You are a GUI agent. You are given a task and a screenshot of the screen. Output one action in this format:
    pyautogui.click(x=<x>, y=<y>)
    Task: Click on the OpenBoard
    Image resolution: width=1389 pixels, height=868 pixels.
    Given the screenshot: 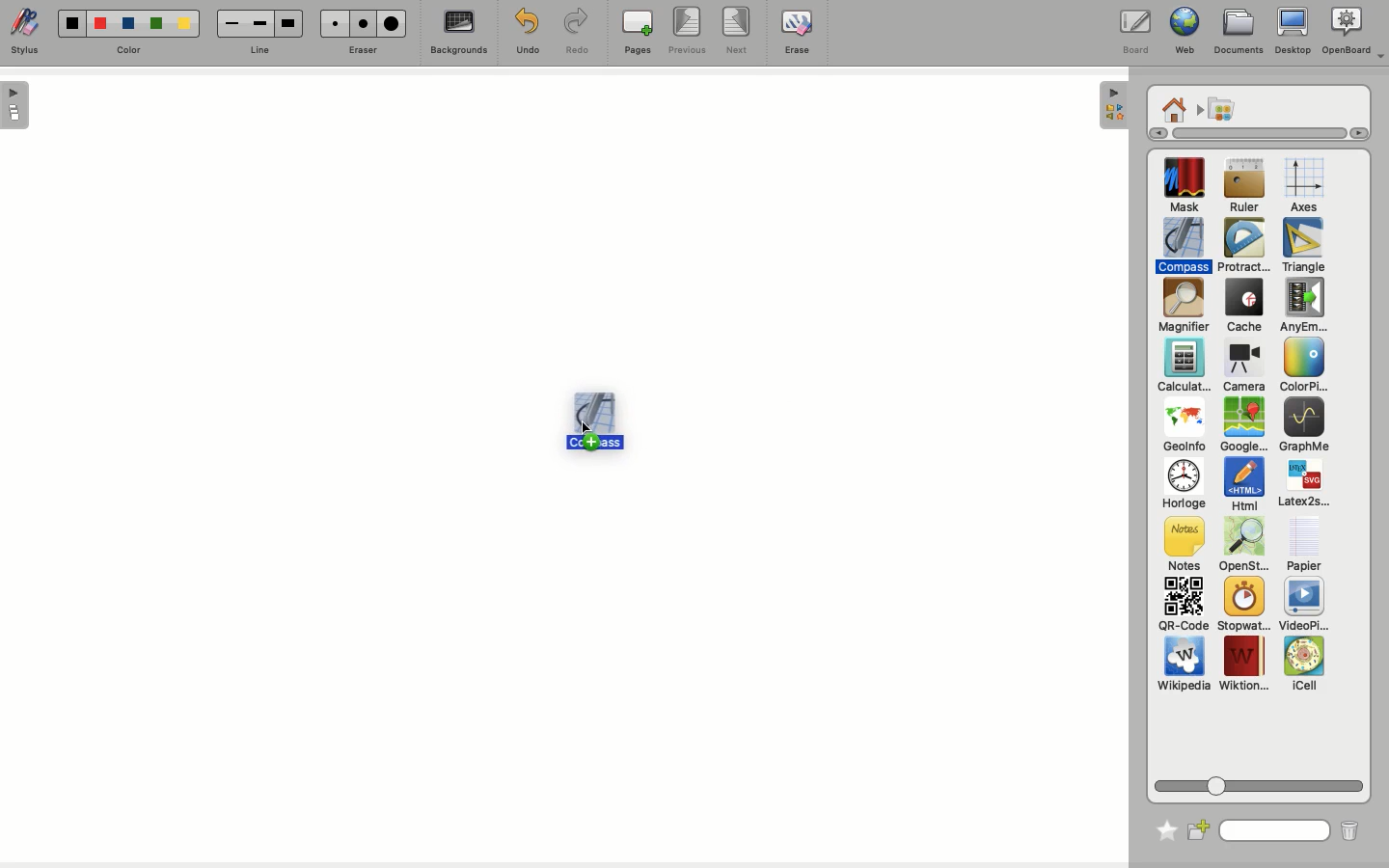 What is the action you would take?
    pyautogui.click(x=1353, y=32)
    